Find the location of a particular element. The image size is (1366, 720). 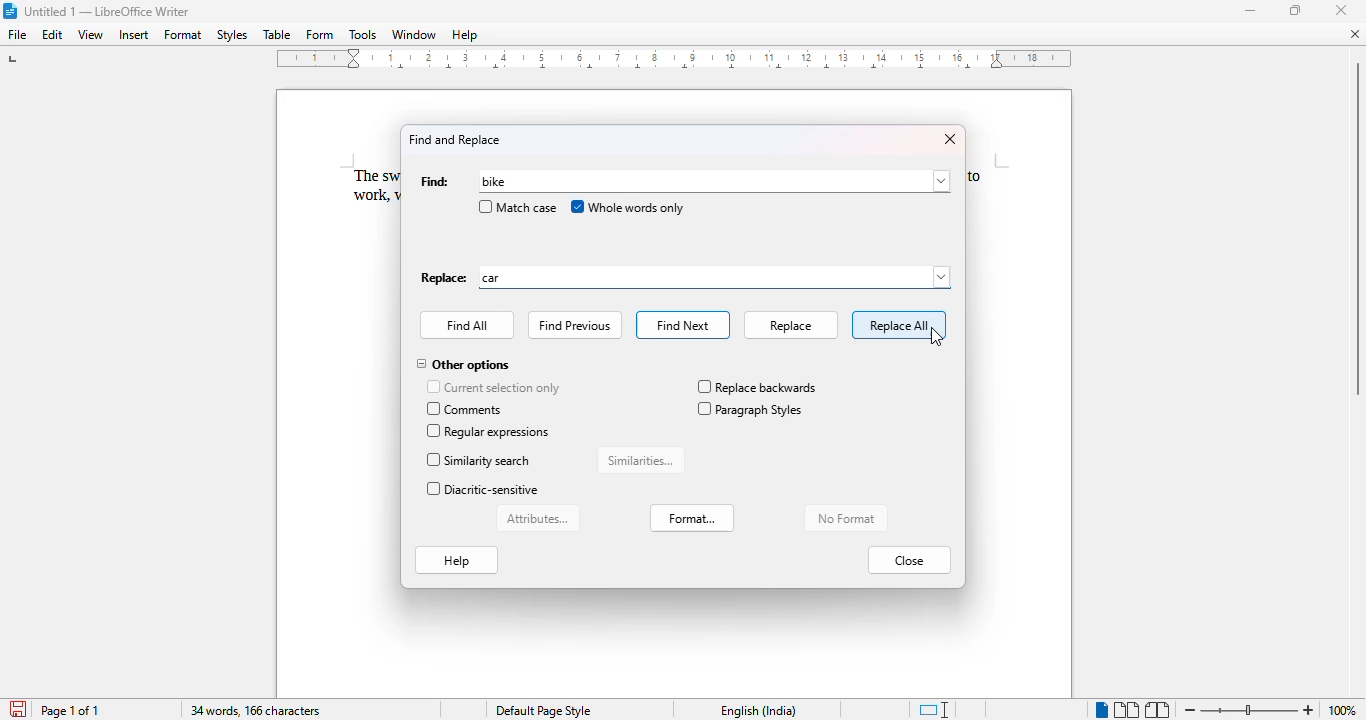

close is located at coordinates (1352, 35).